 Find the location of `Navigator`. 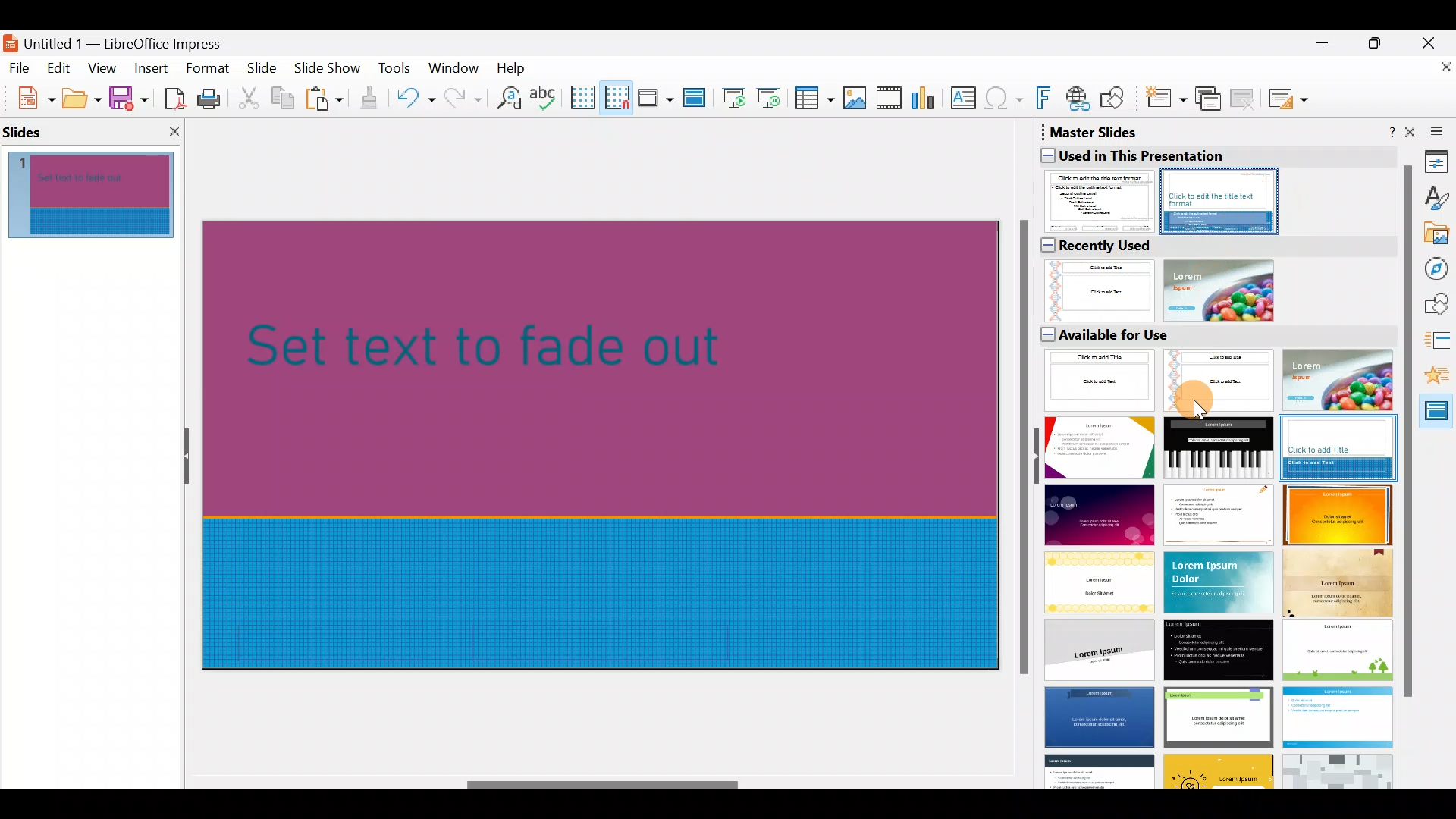

Navigator is located at coordinates (1438, 269).